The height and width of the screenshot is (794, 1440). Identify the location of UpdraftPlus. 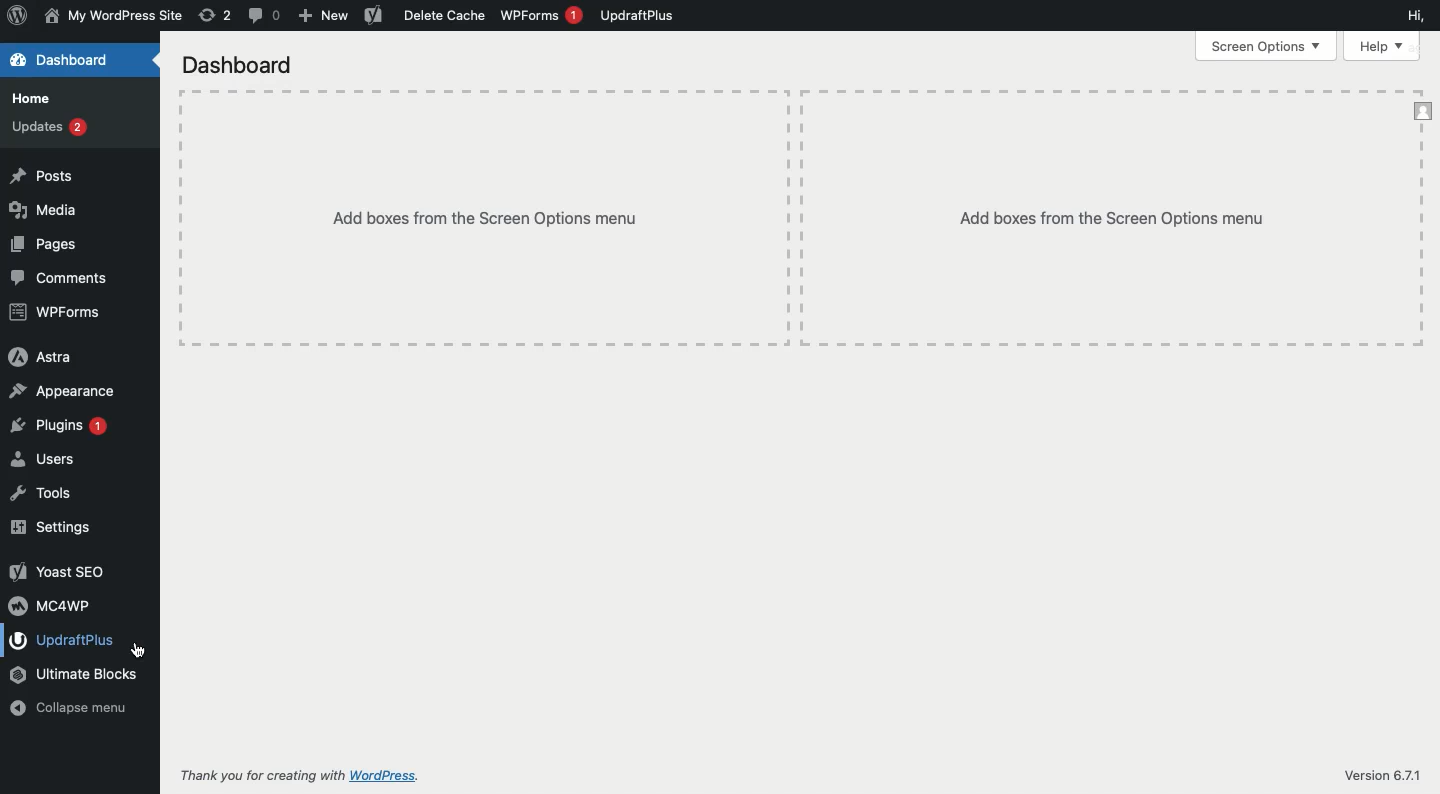
(638, 15).